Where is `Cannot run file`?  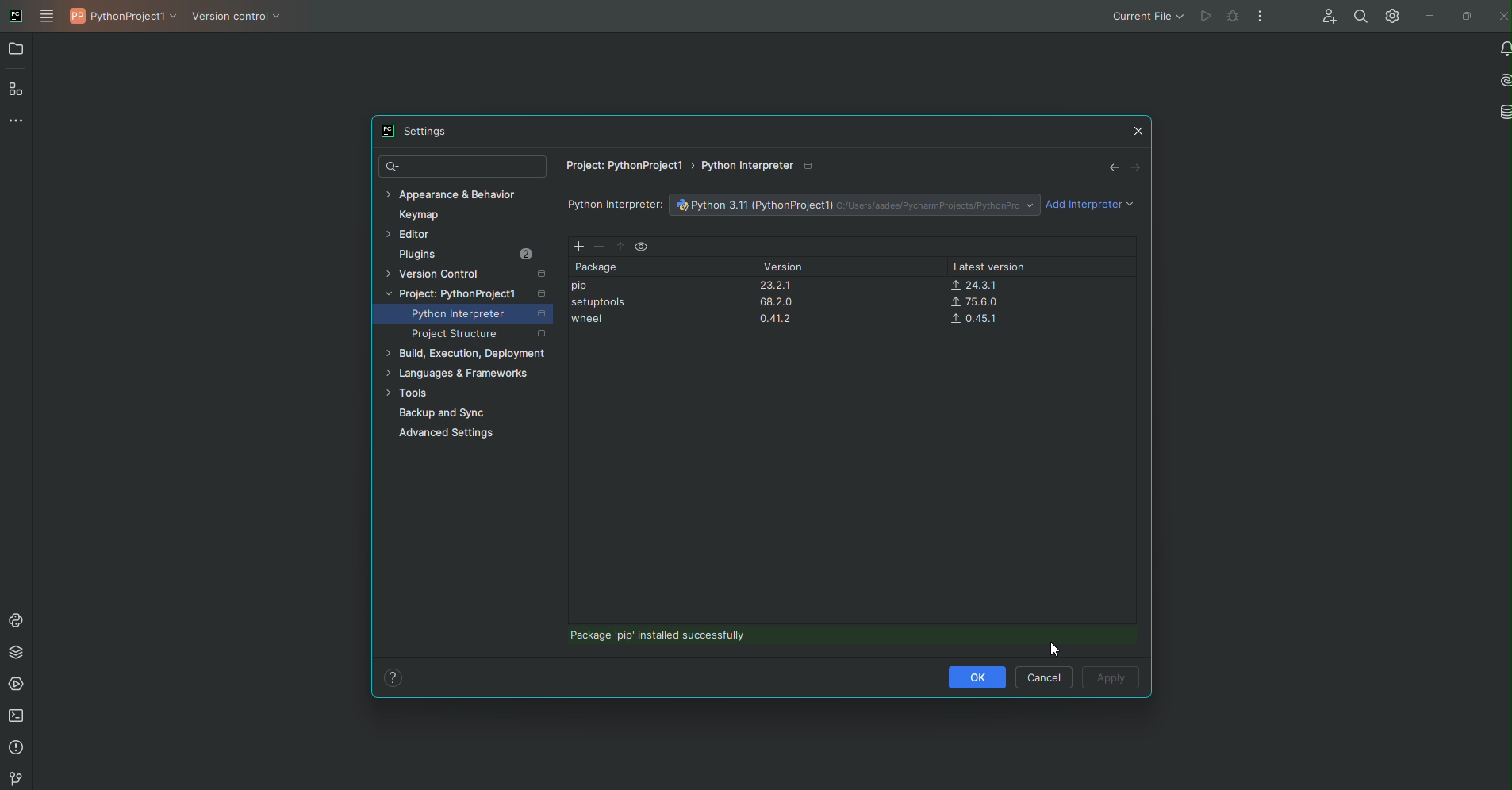
Cannot run file is located at coordinates (1215, 17).